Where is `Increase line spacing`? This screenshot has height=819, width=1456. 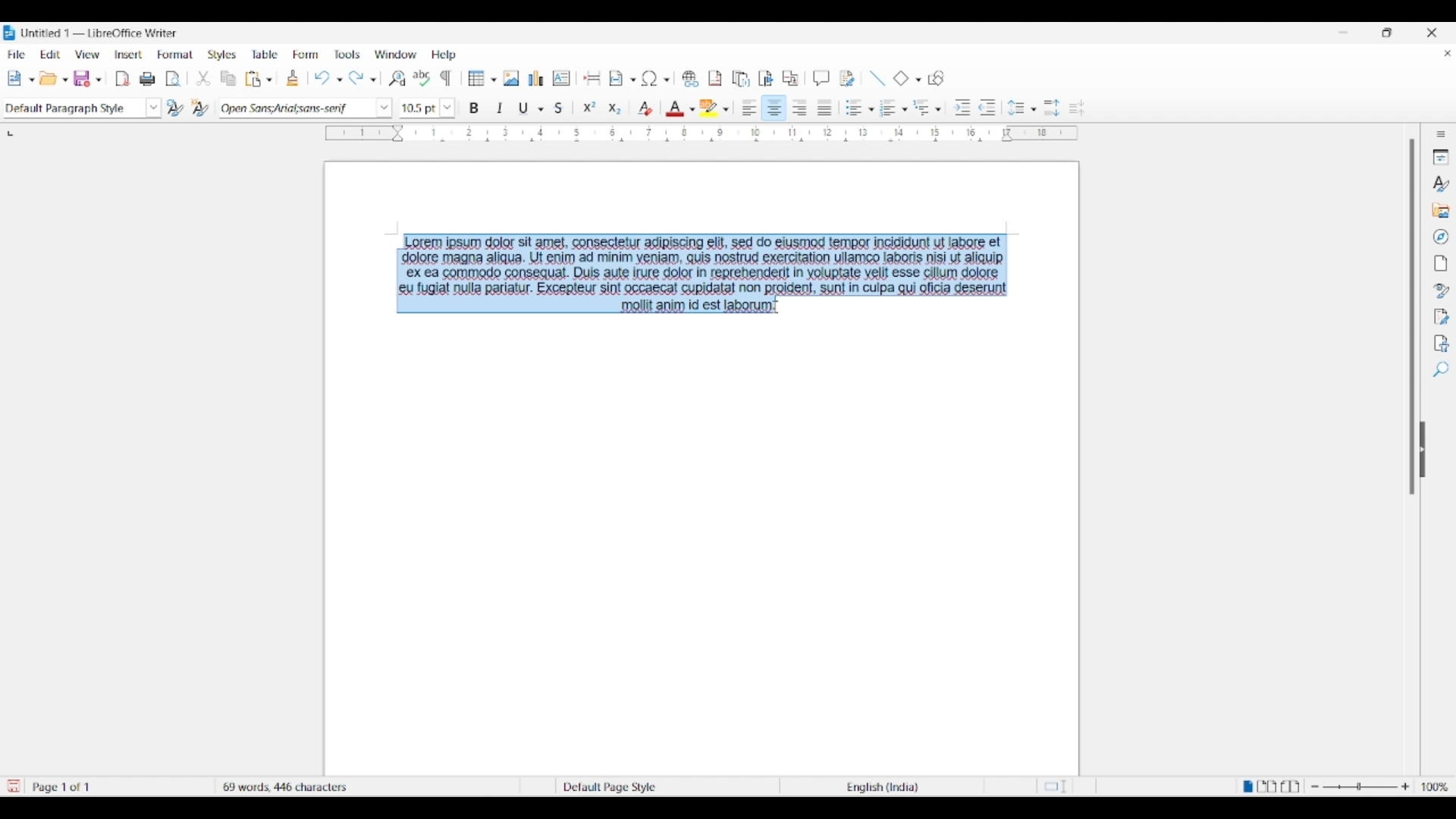 Increase line spacing is located at coordinates (1052, 108).